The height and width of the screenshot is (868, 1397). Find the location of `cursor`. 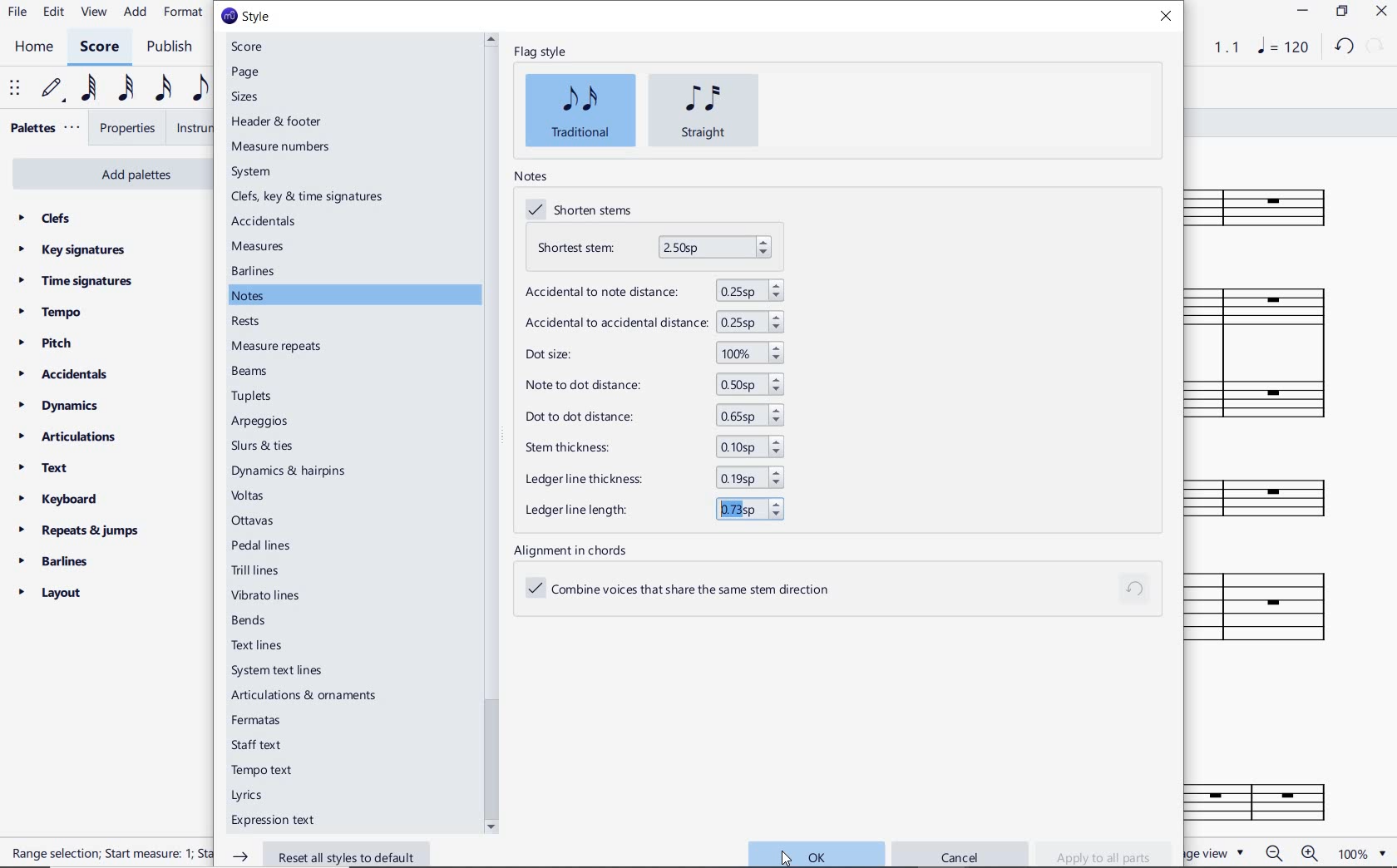

cursor is located at coordinates (787, 855).